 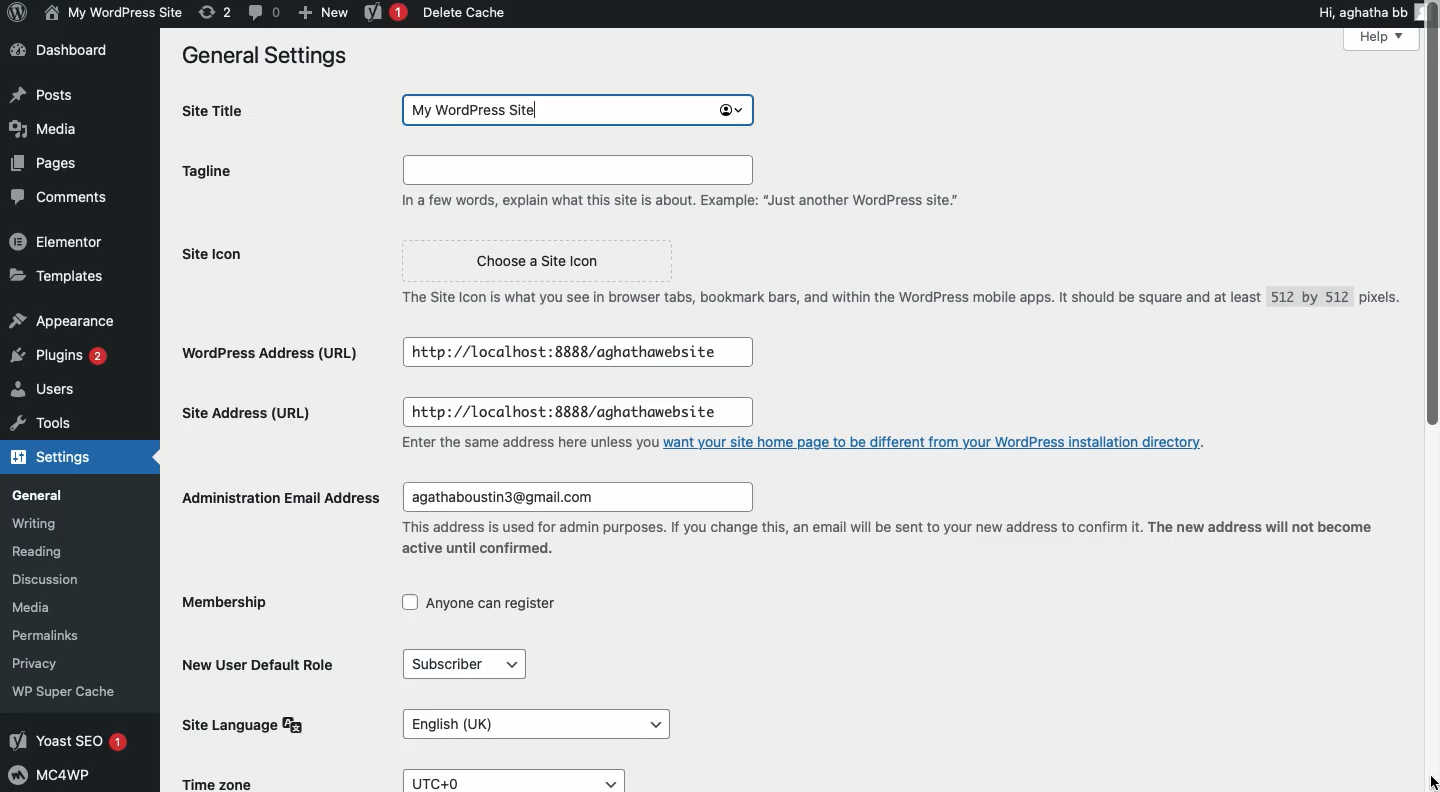 What do you see at coordinates (542, 261) in the screenshot?
I see `Choose a Site Icon` at bounding box center [542, 261].